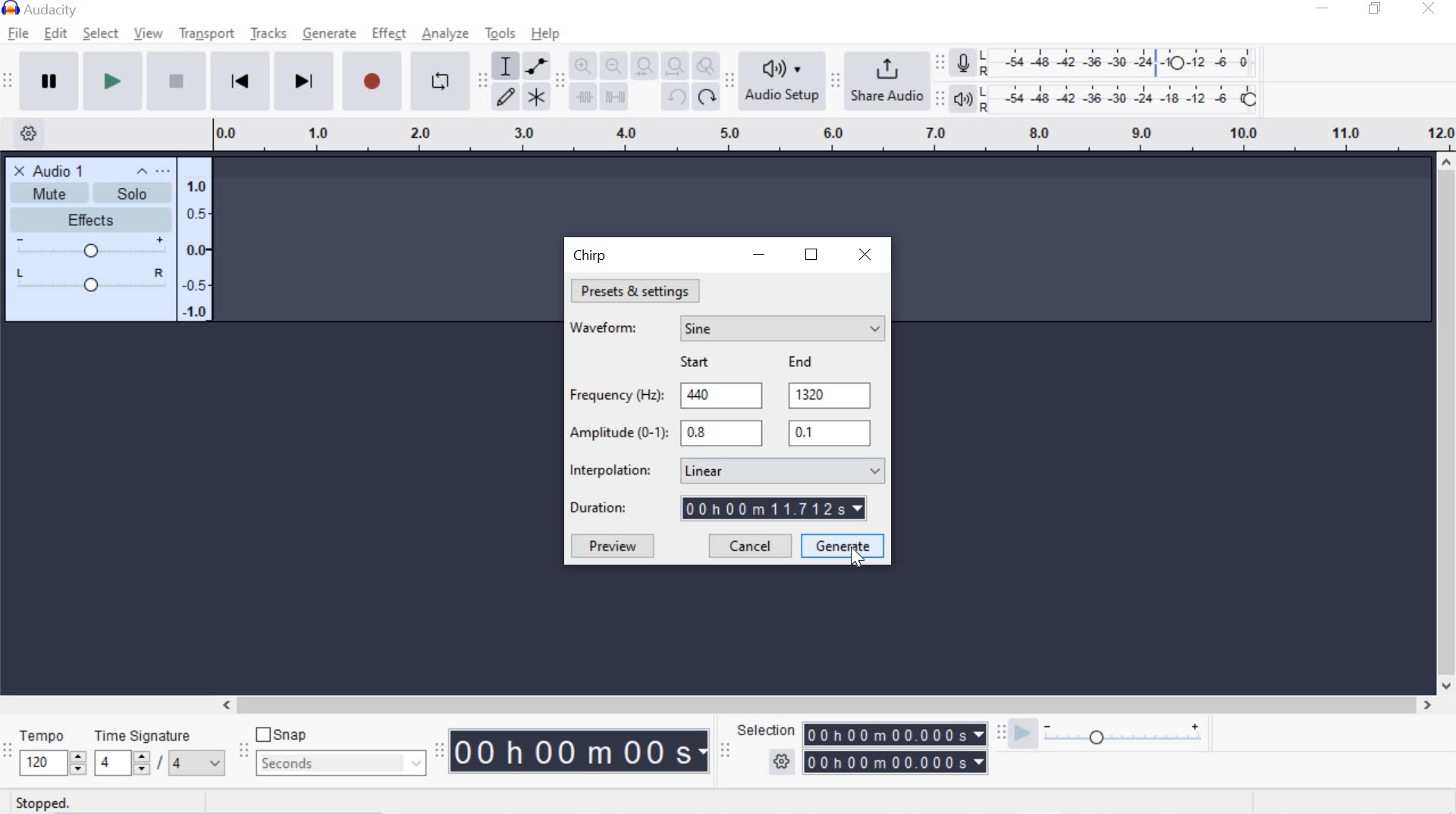  I want to click on effects, so click(90, 221).